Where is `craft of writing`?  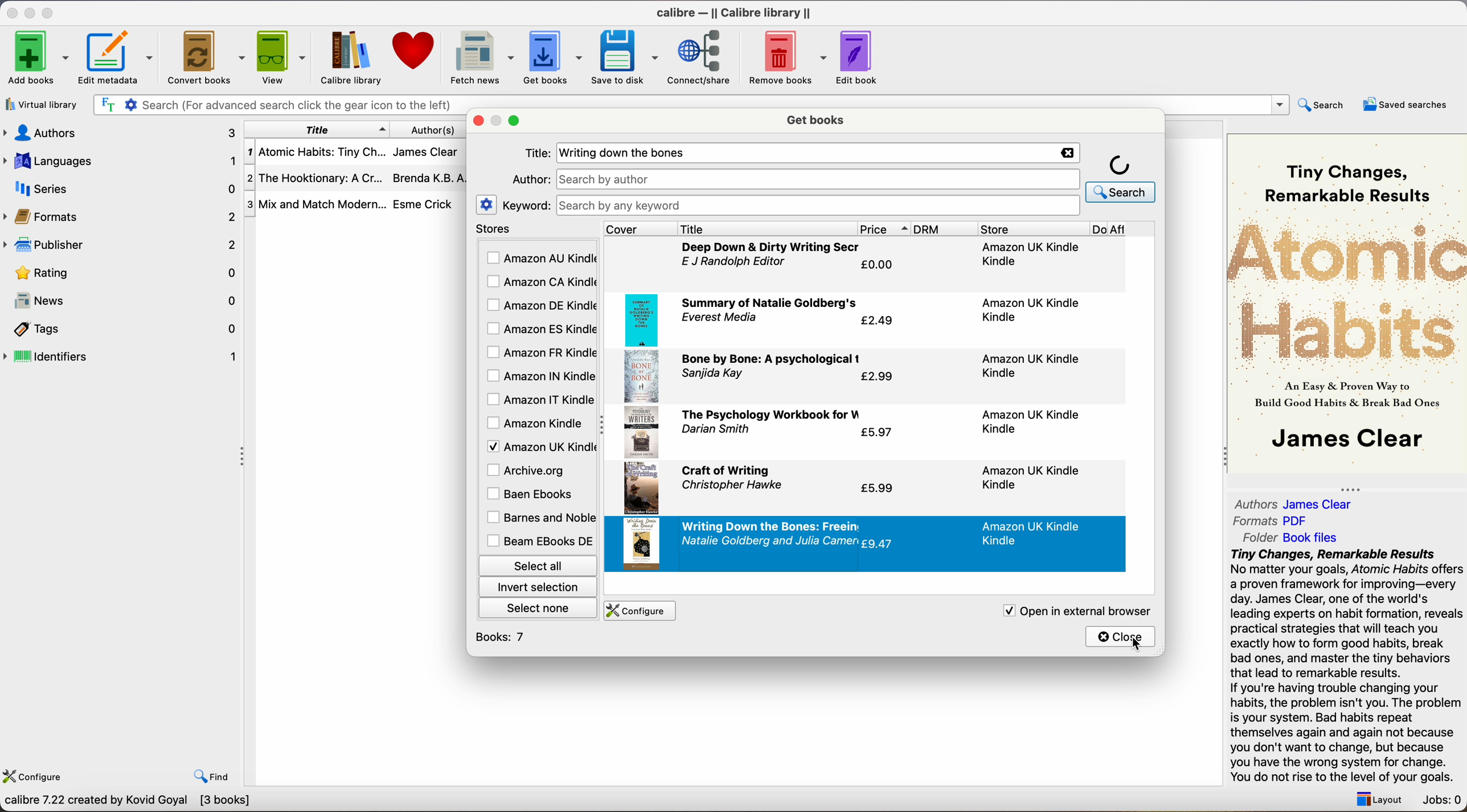 craft of writing is located at coordinates (726, 471).